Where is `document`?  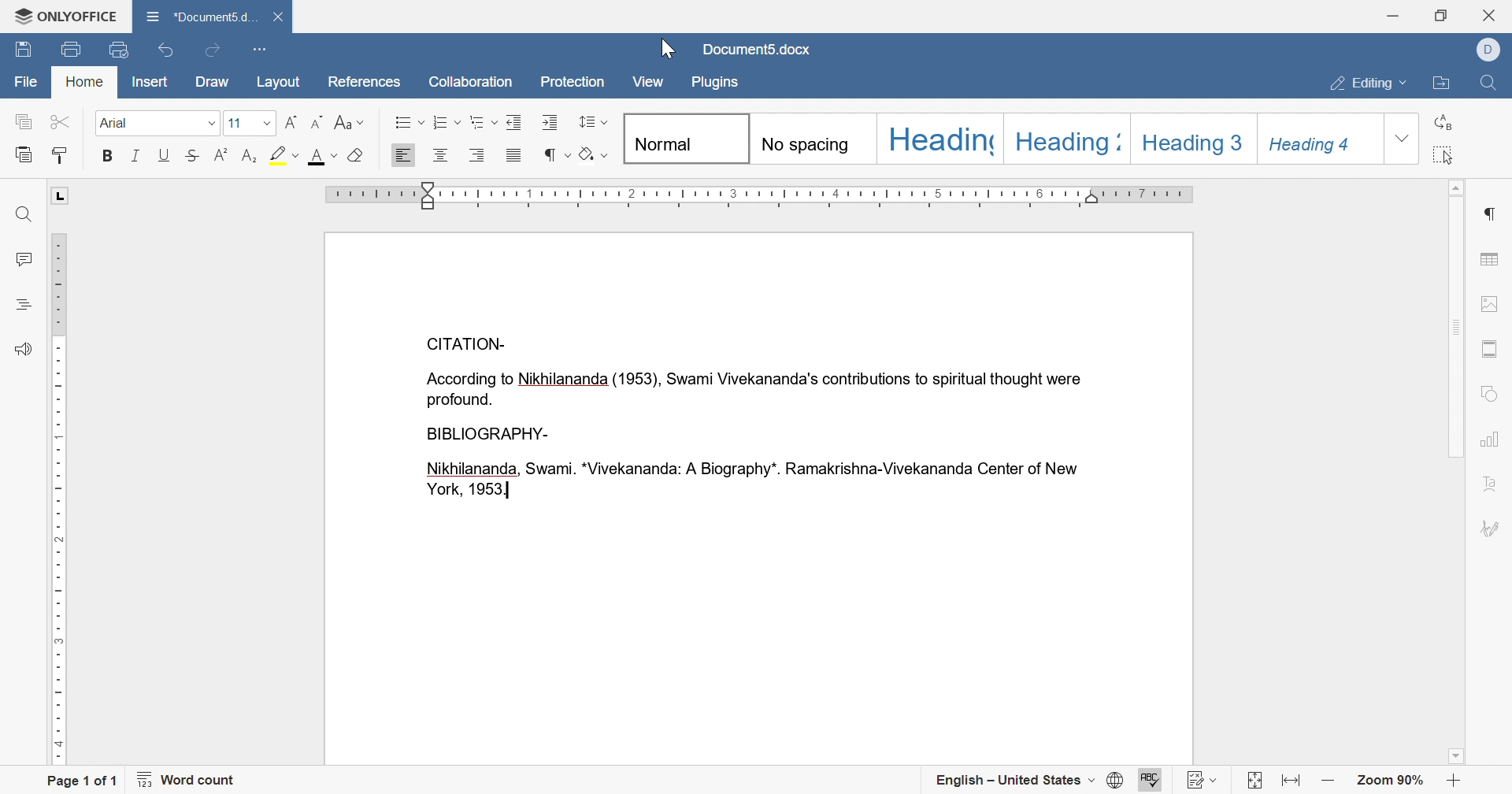
document is located at coordinates (202, 15).